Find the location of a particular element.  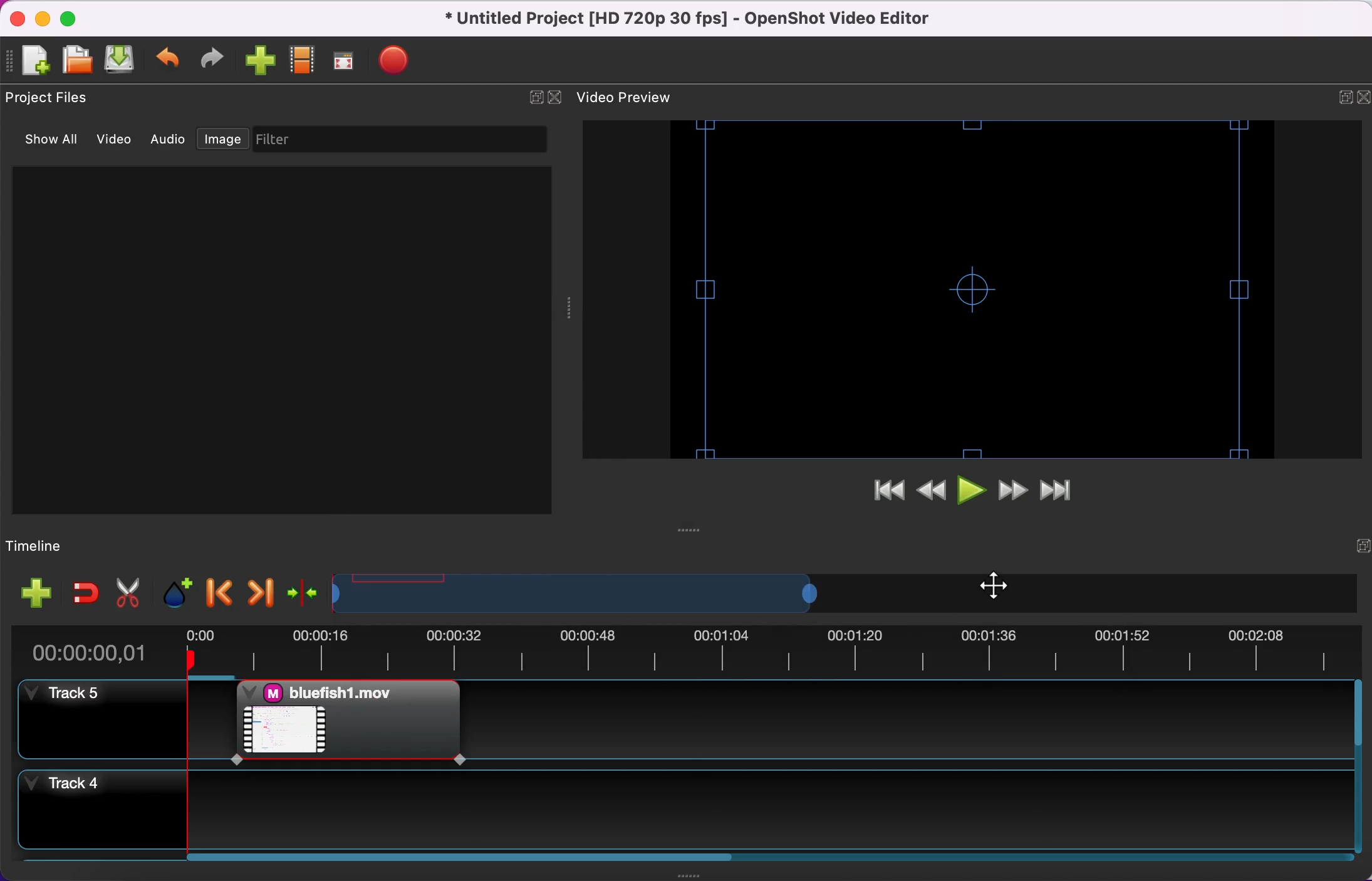

enable snapping is located at coordinates (86, 595).